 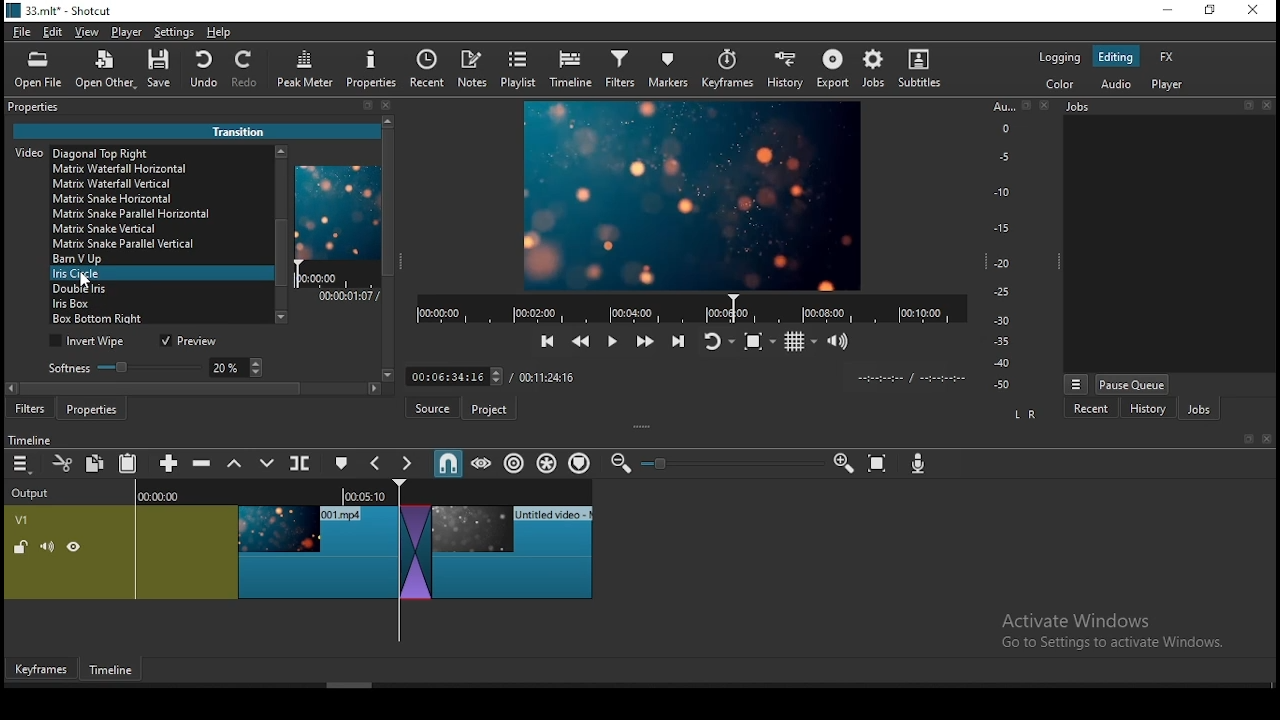 I want to click on , so click(x=921, y=466).